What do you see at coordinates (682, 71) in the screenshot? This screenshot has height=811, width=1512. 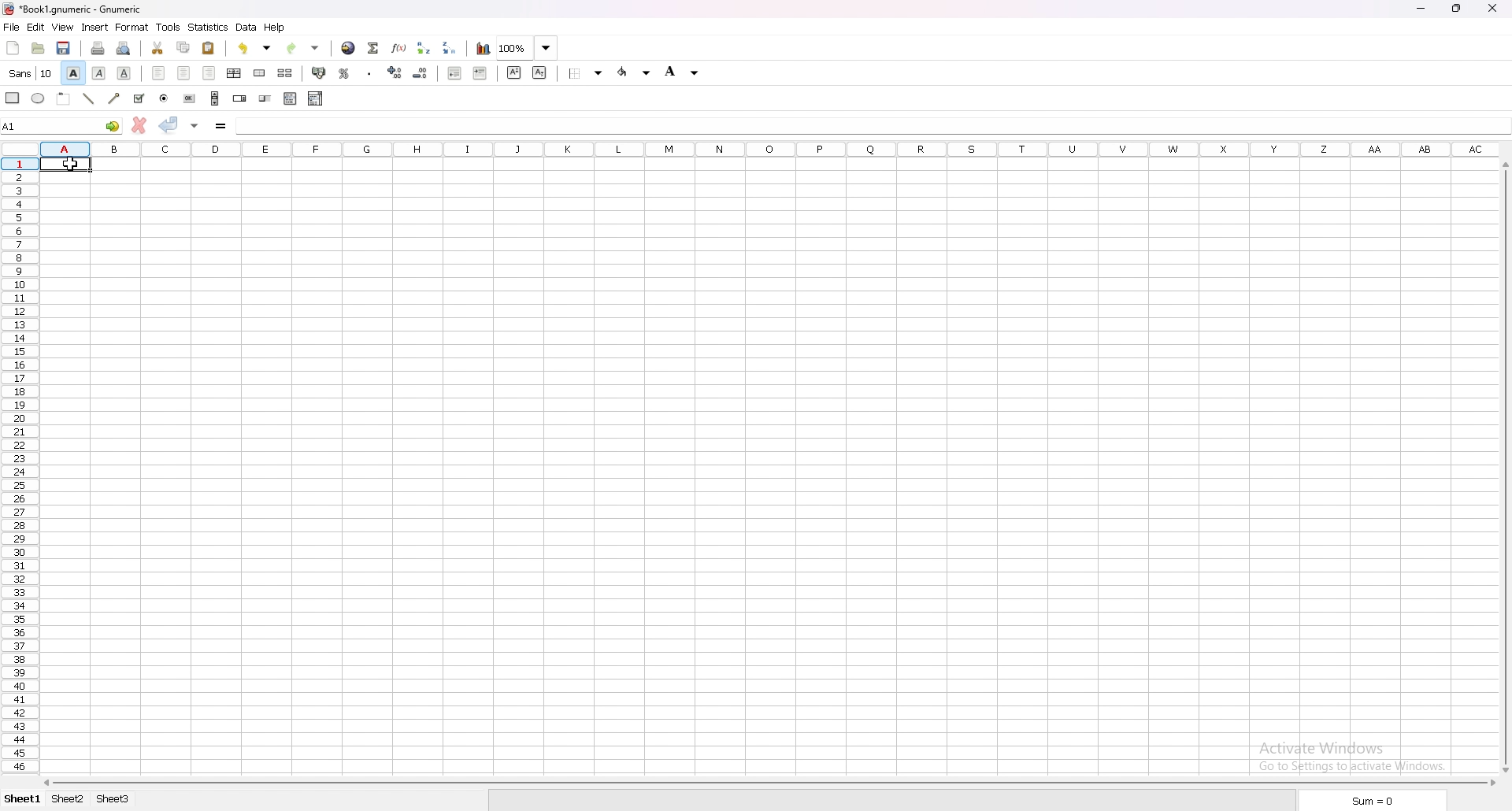 I see `background` at bounding box center [682, 71].